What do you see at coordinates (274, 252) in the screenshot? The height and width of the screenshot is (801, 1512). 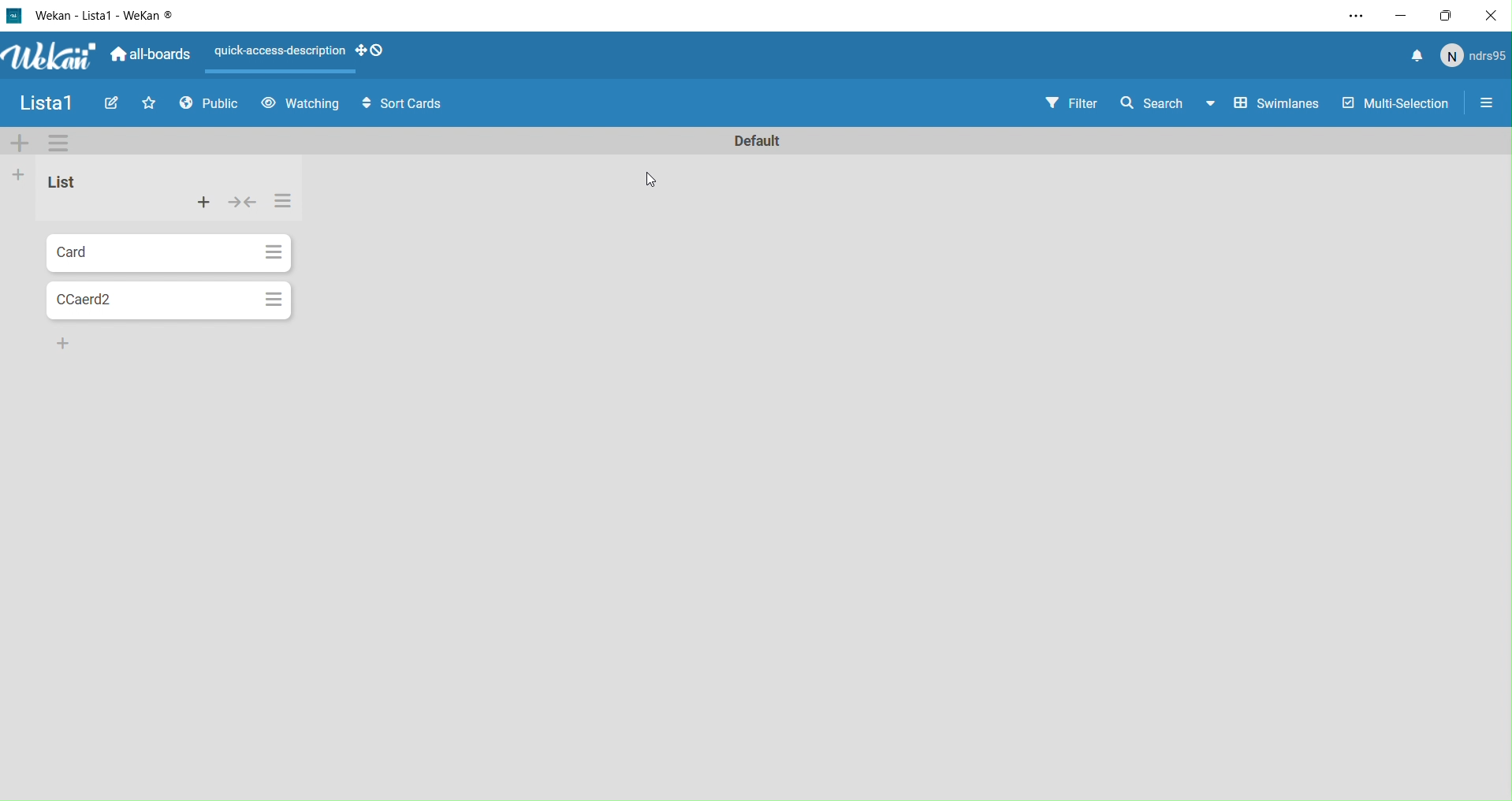 I see `Options` at bounding box center [274, 252].